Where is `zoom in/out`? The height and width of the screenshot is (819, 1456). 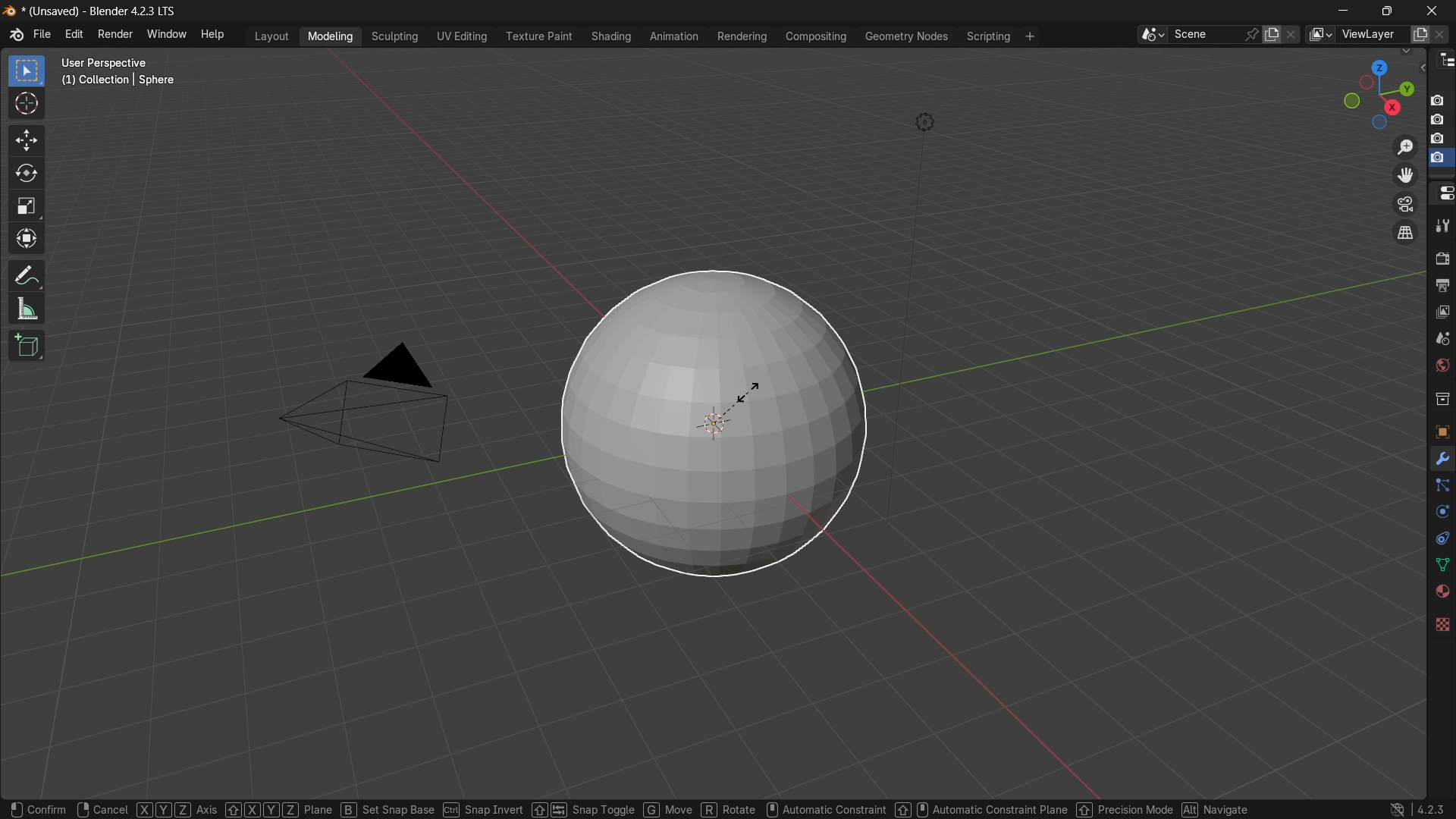 zoom in/out is located at coordinates (1404, 148).